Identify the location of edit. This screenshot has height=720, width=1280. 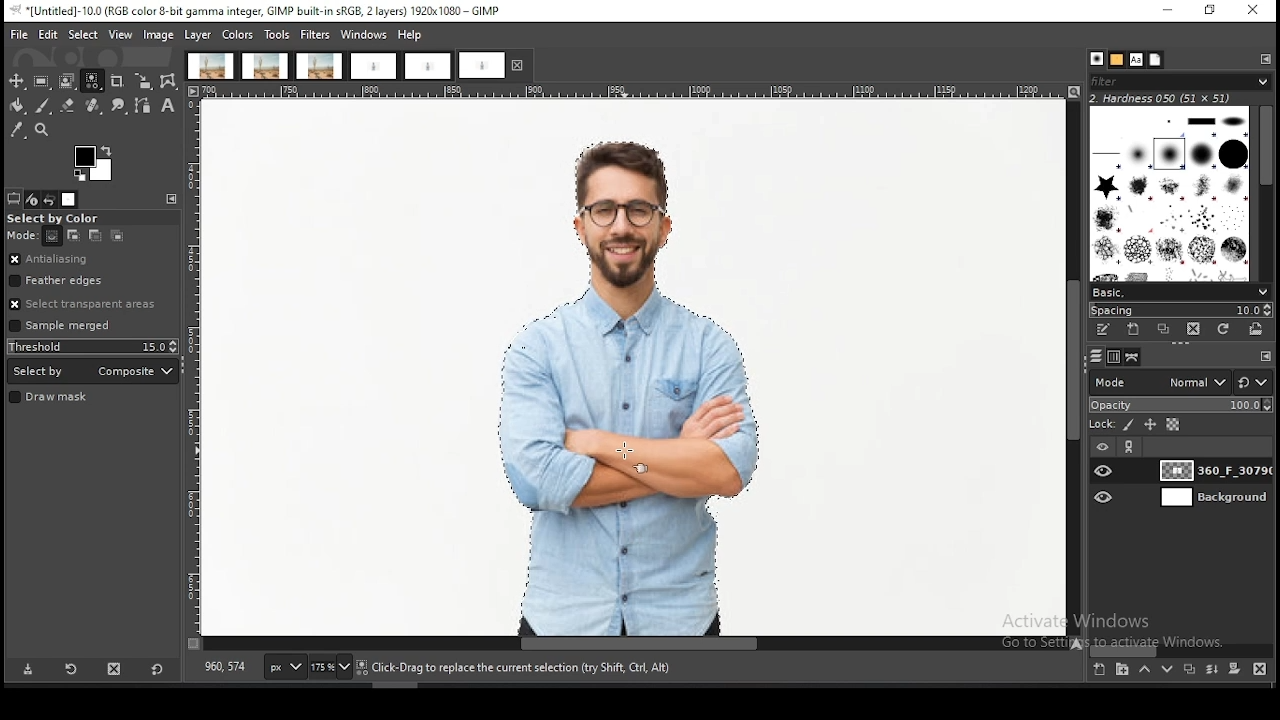
(49, 34).